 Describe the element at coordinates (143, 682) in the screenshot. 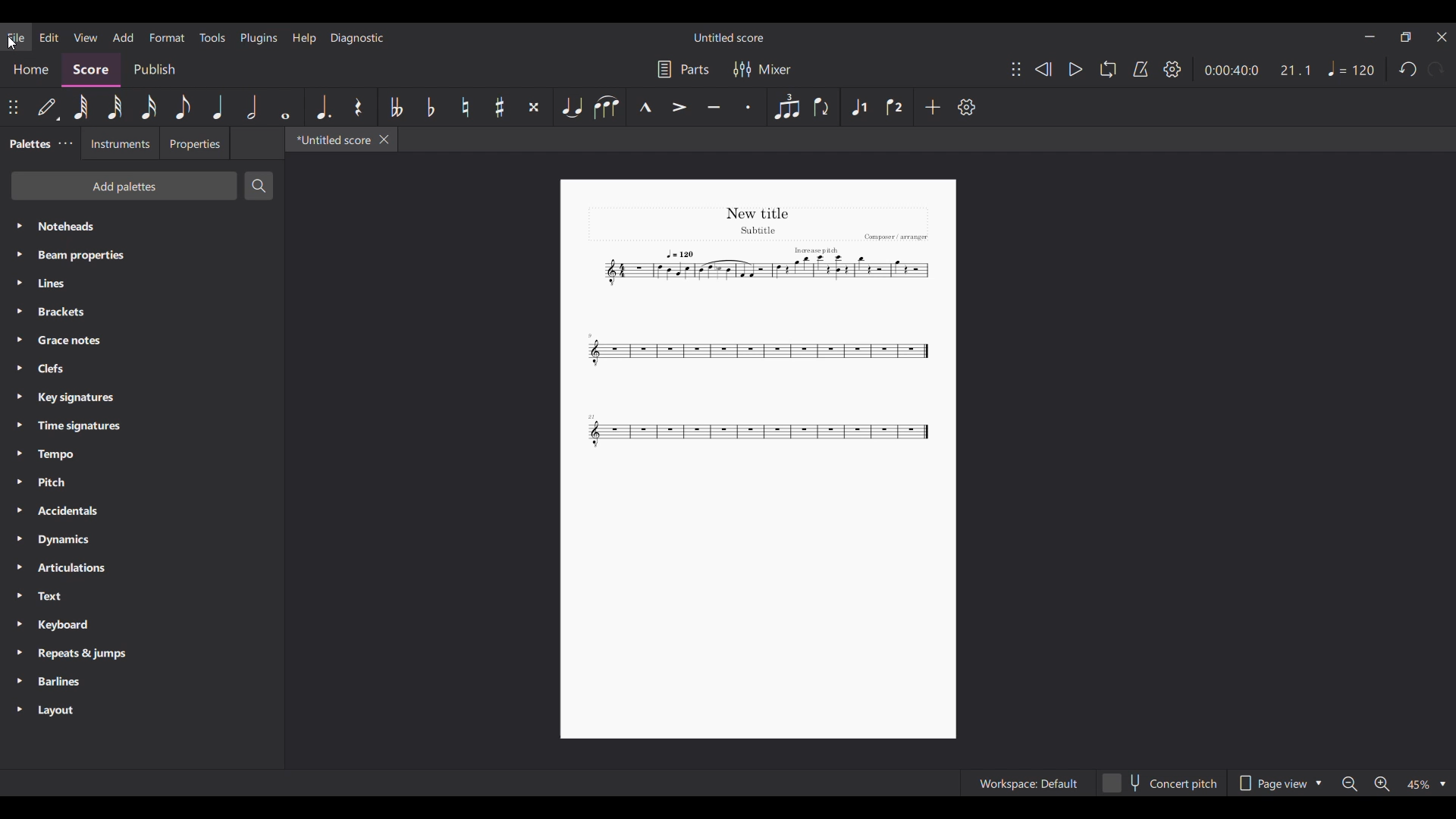

I see `Barlines` at that location.